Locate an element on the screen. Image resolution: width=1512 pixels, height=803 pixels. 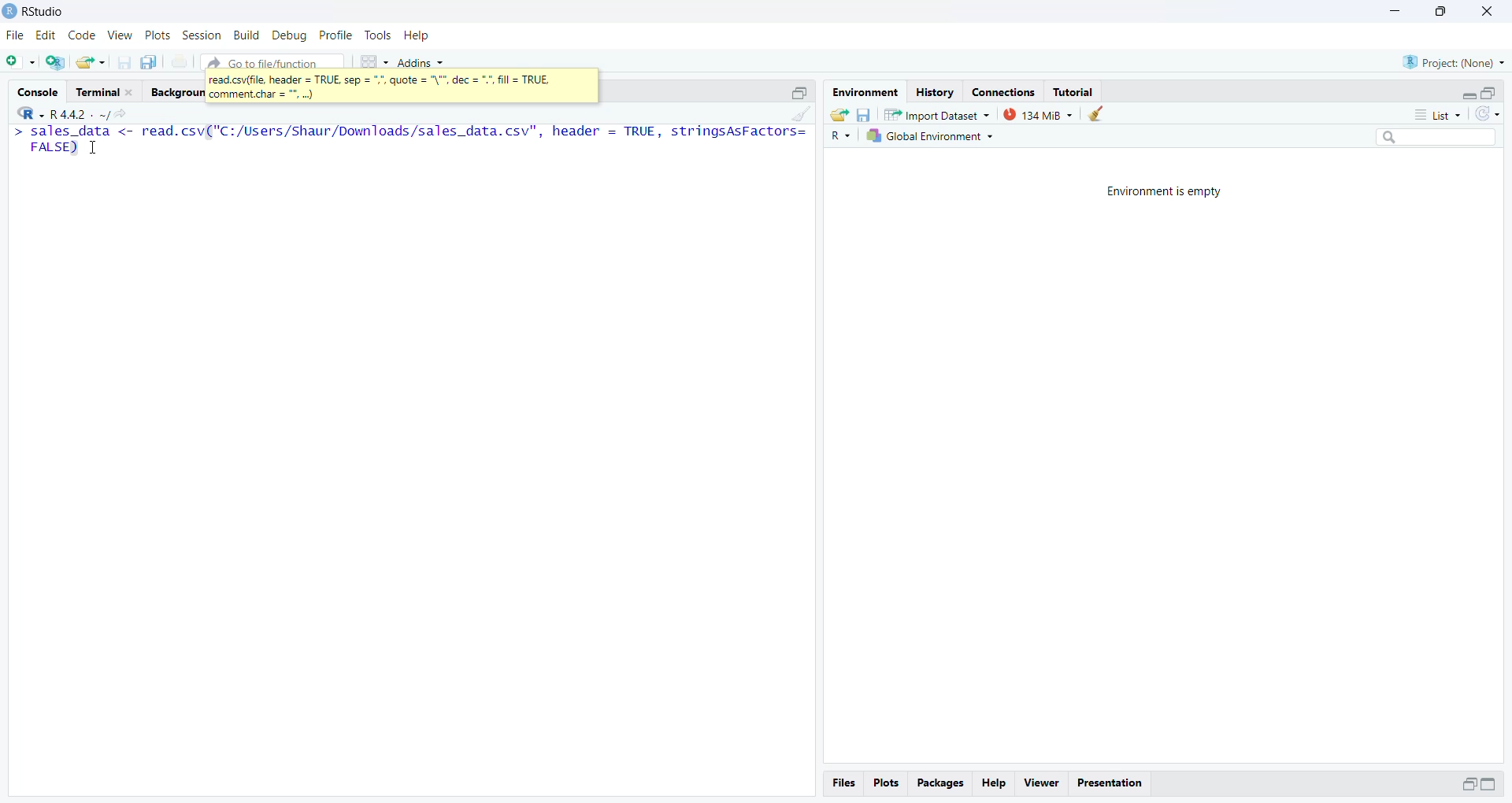
viewer is located at coordinates (1043, 782).